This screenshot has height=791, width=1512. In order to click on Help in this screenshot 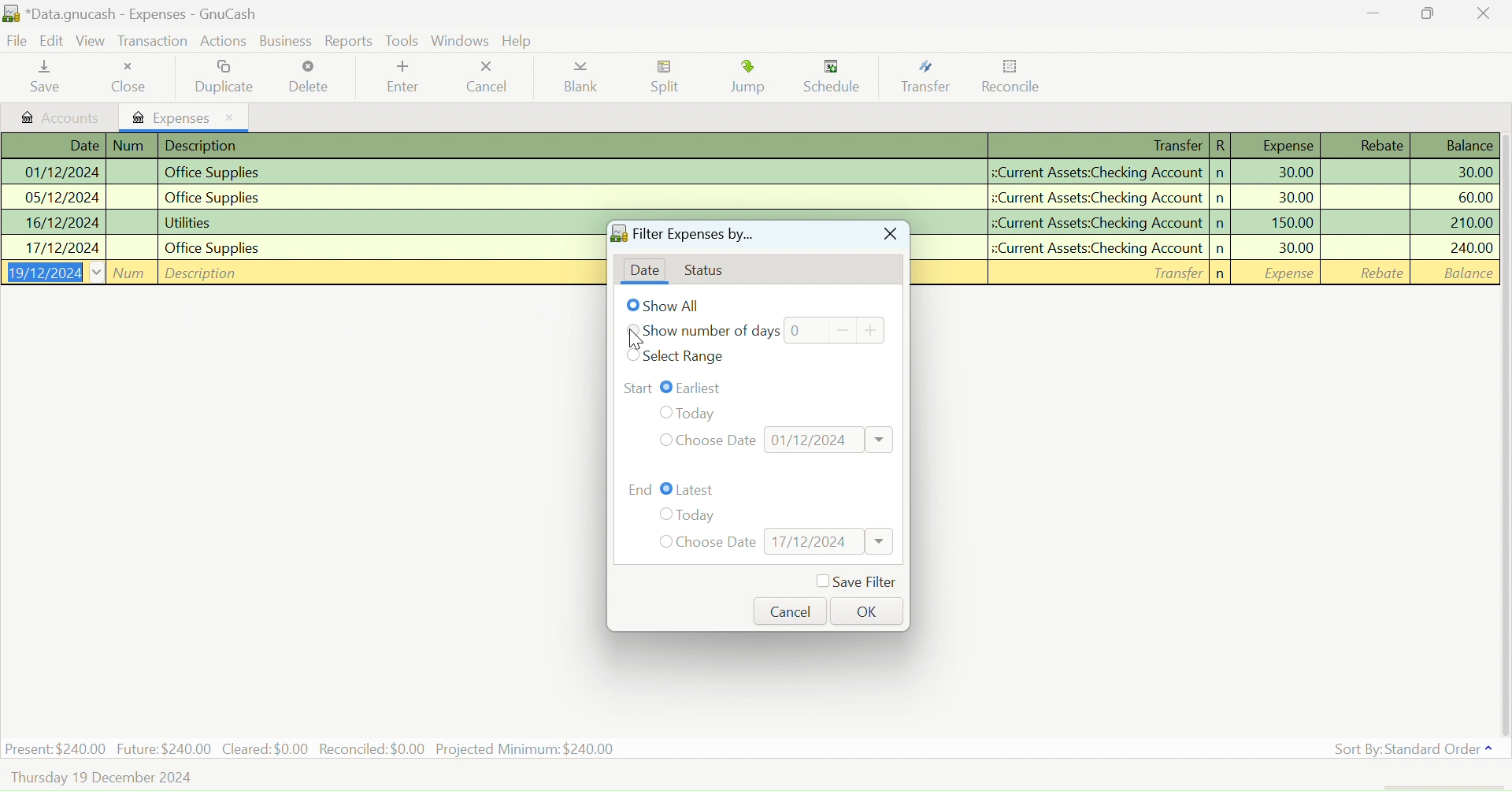, I will do `click(520, 41)`.